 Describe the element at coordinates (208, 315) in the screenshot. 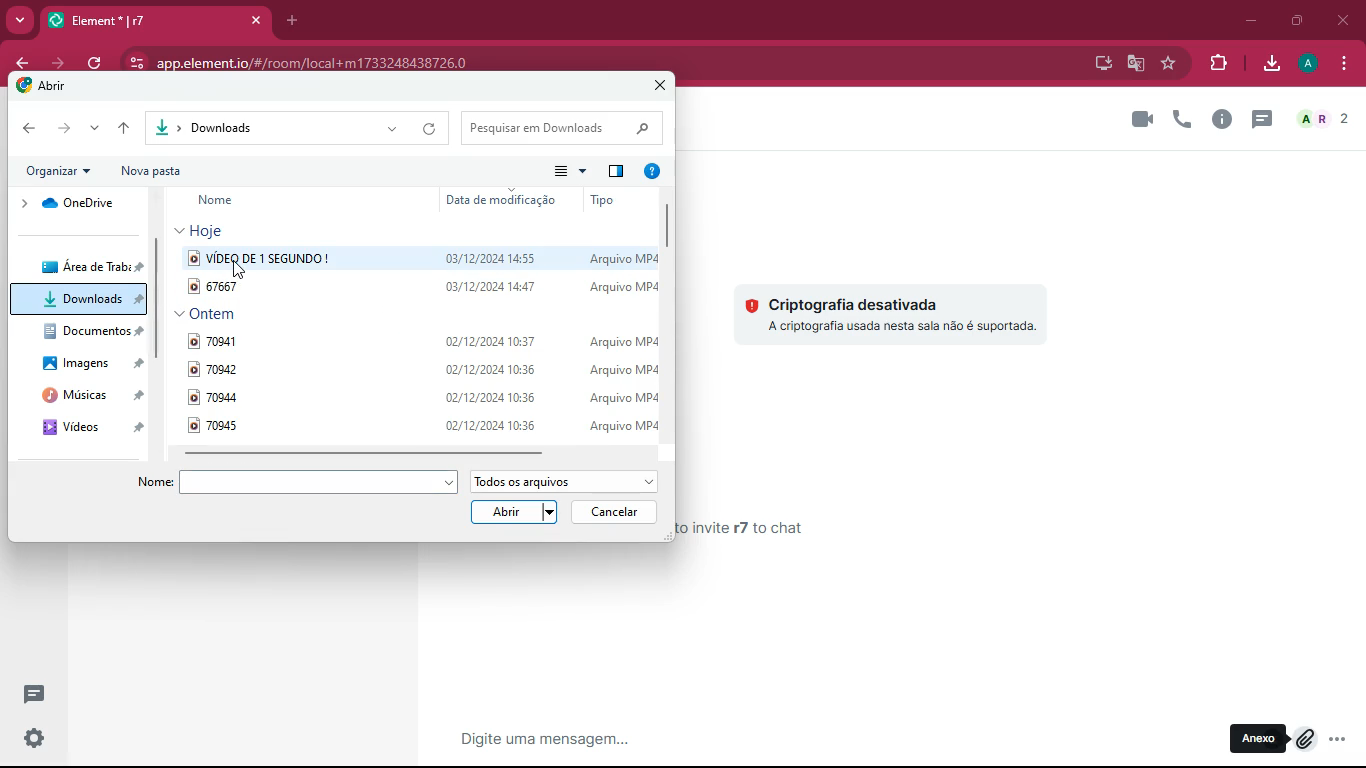

I see `ontem` at that location.